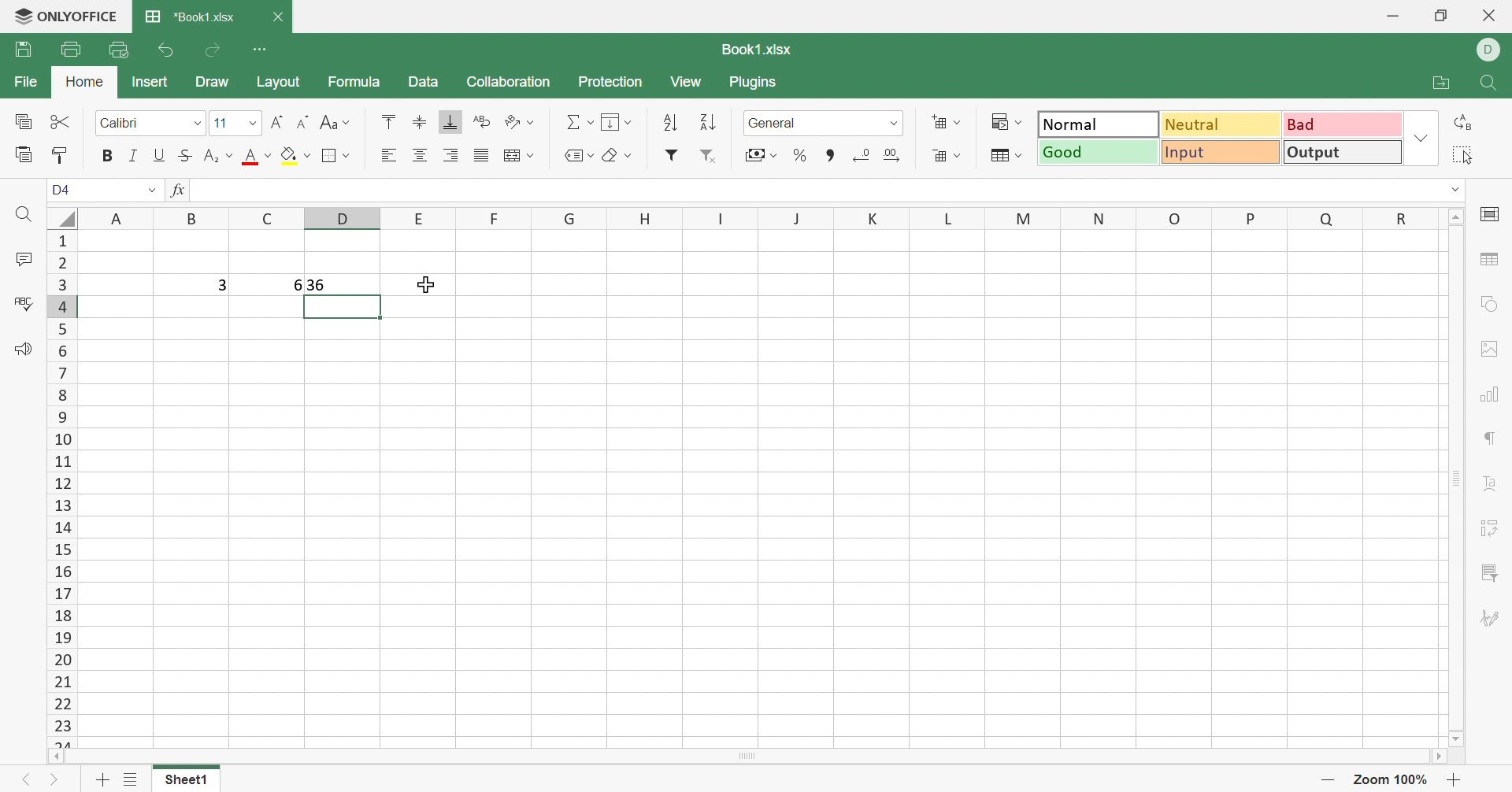 The width and height of the screenshot is (1512, 792). What do you see at coordinates (1492, 527) in the screenshot?
I see `Pivot table settings` at bounding box center [1492, 527].